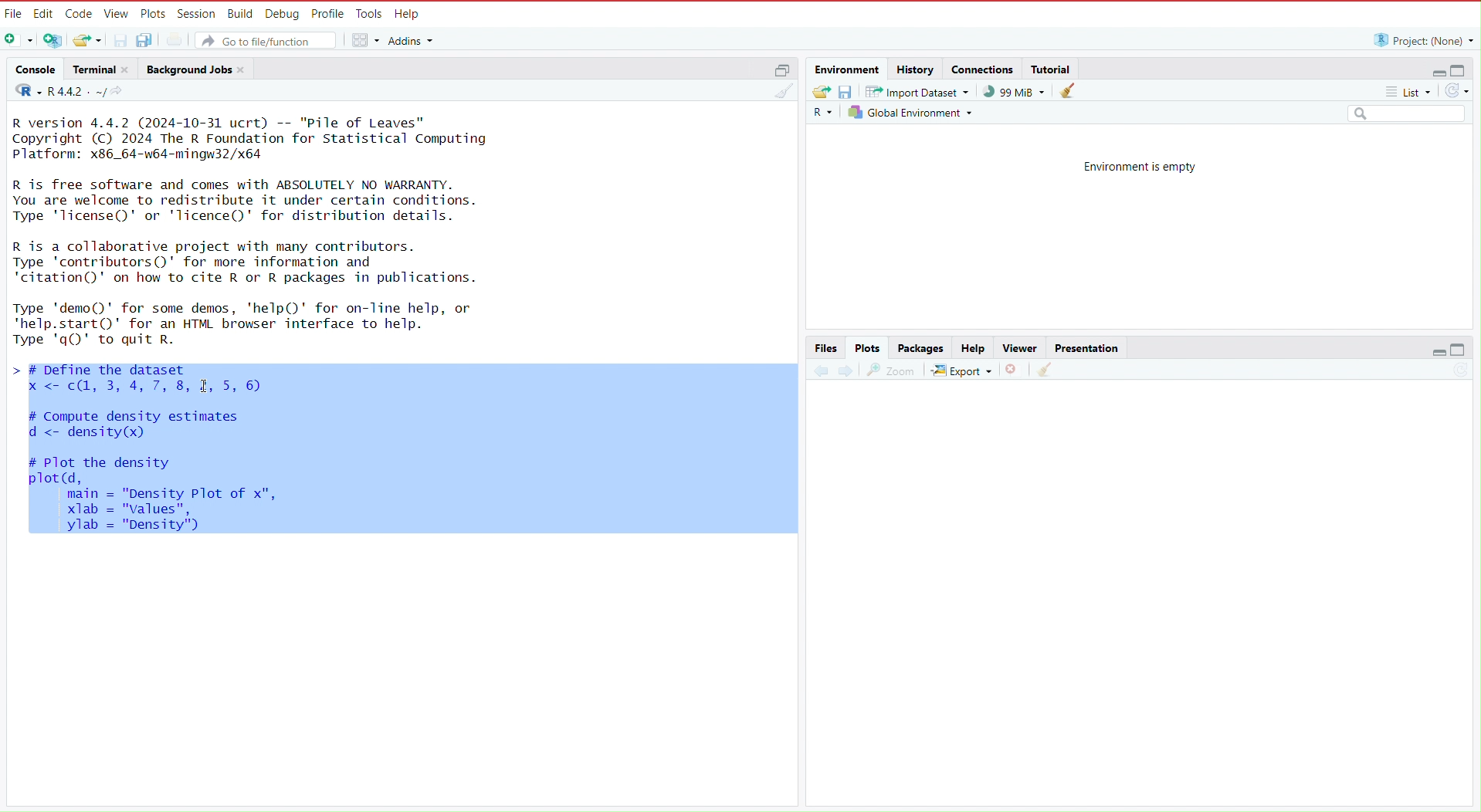 This screenshot has width=1481, height=812. Describe the element at coordinates (869, 347) in the screenshot. I see `plots` at that location.